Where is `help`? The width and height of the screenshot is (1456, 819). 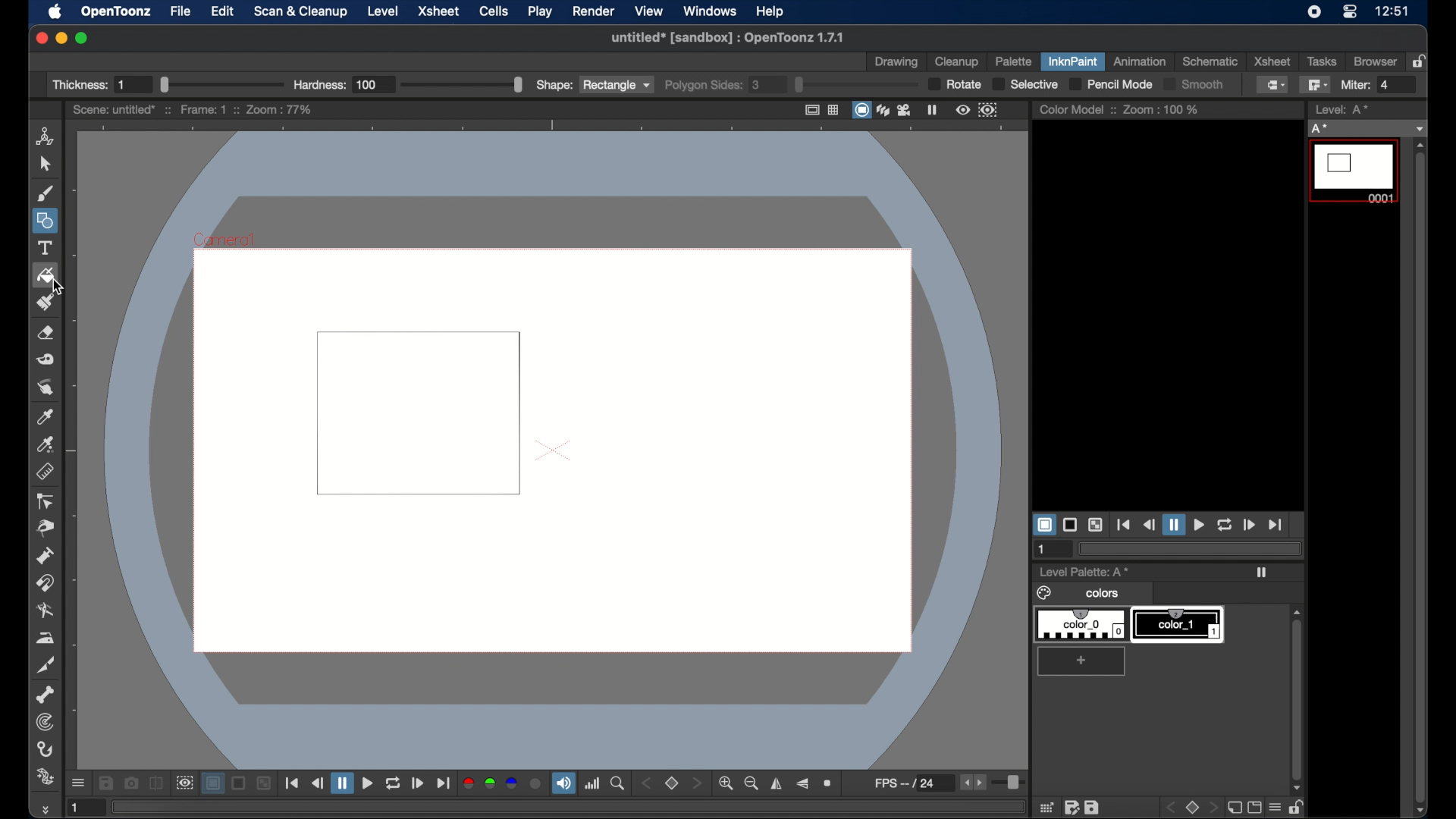 help is located at coordinates (770, 11).